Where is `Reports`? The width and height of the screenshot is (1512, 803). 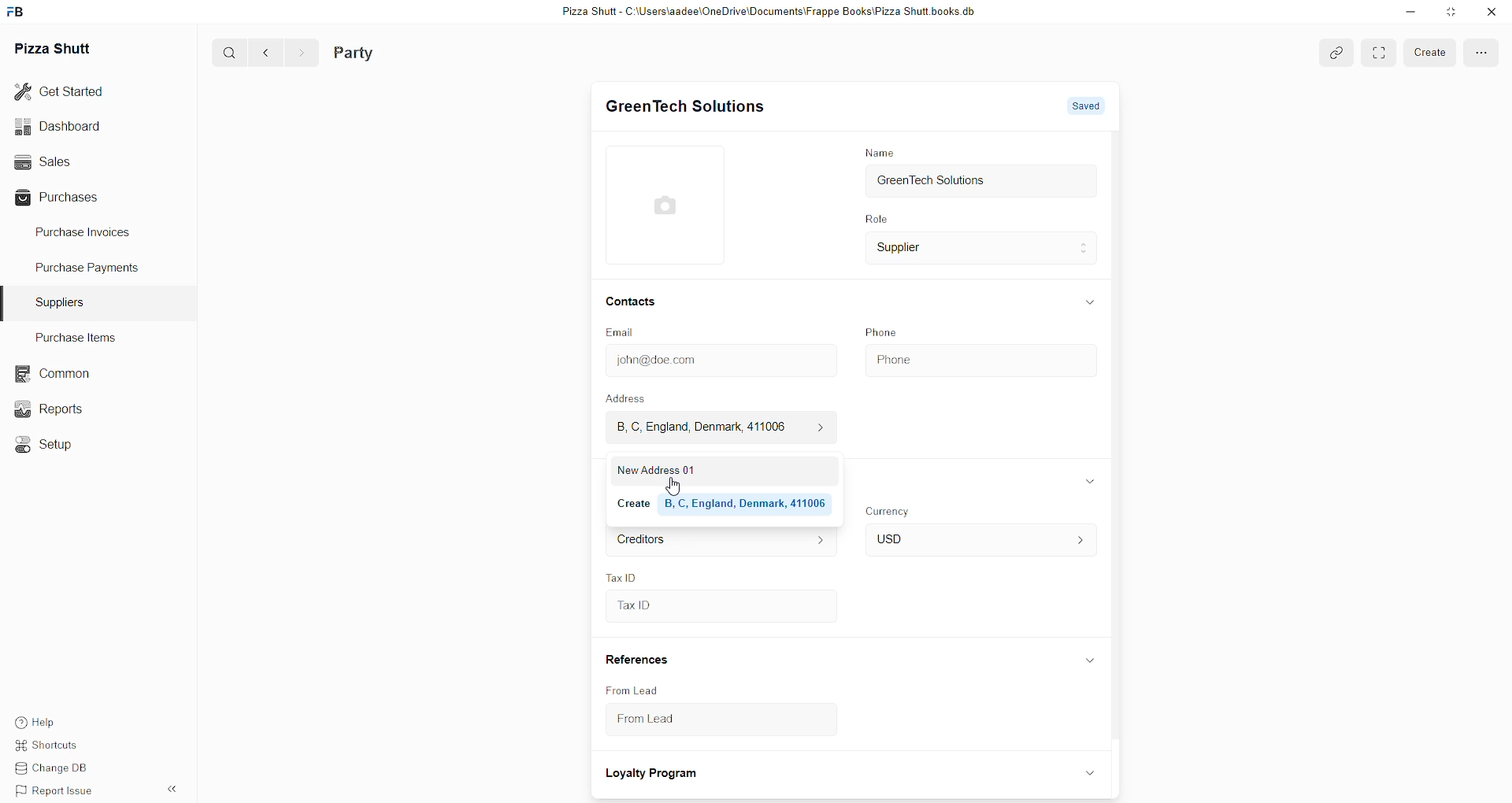 Reports is located at coordinates (51, 409).